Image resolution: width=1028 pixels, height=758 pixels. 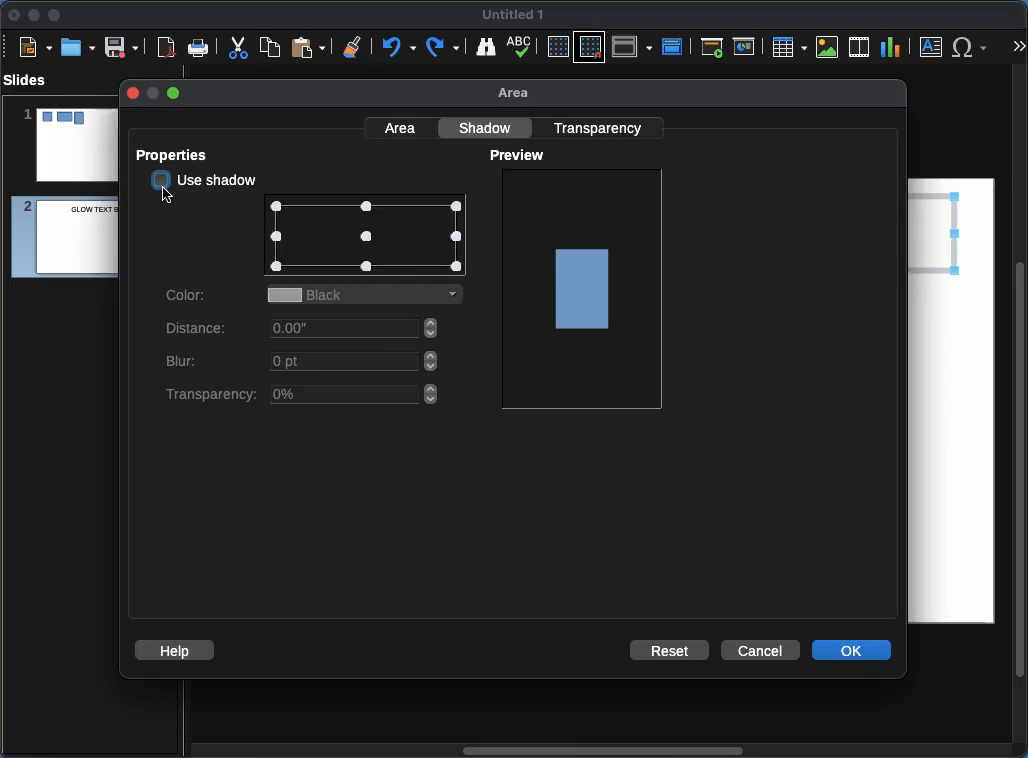 What do you see at coordinates (601, 127) in the screenshot?
I see `Transparency` at bounding box center [601, 127].